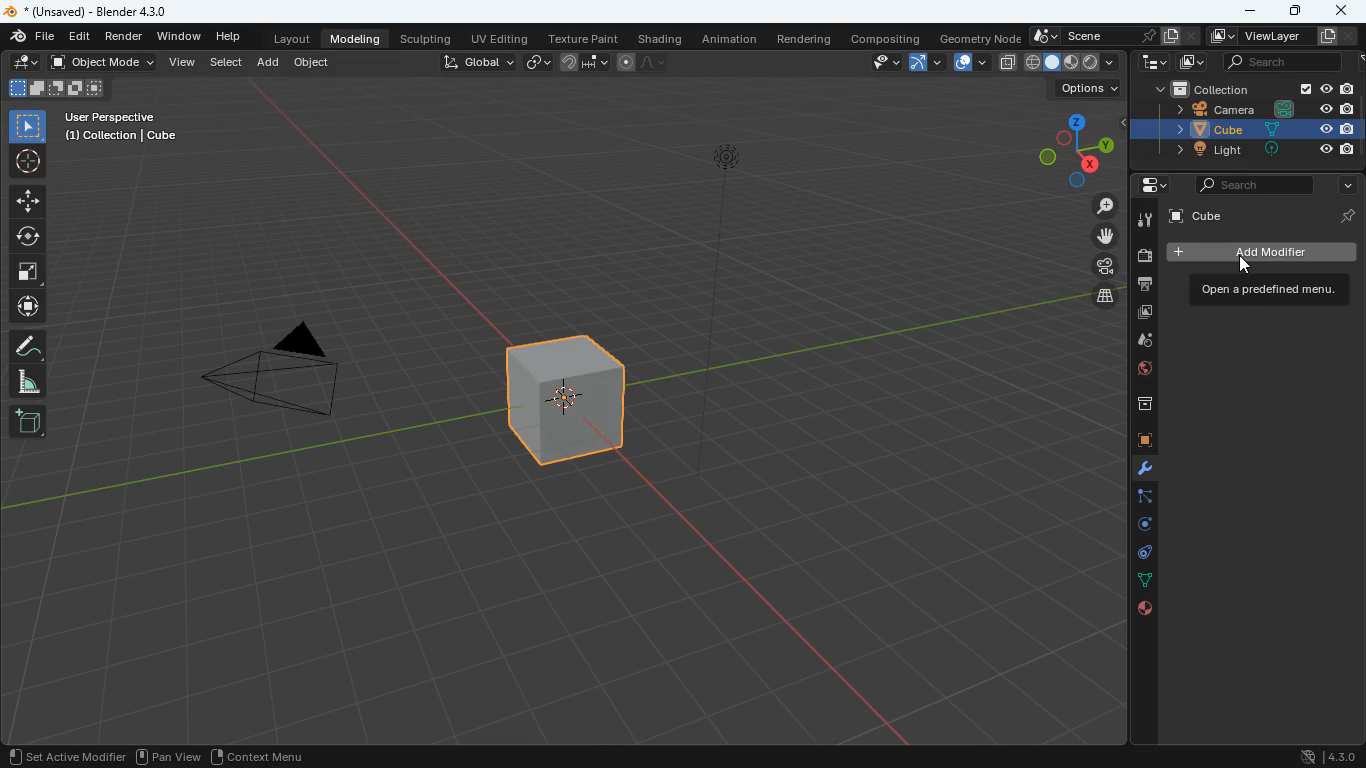 The image size is (1366, 768). I want to click on minimize, so click(1247, 12).